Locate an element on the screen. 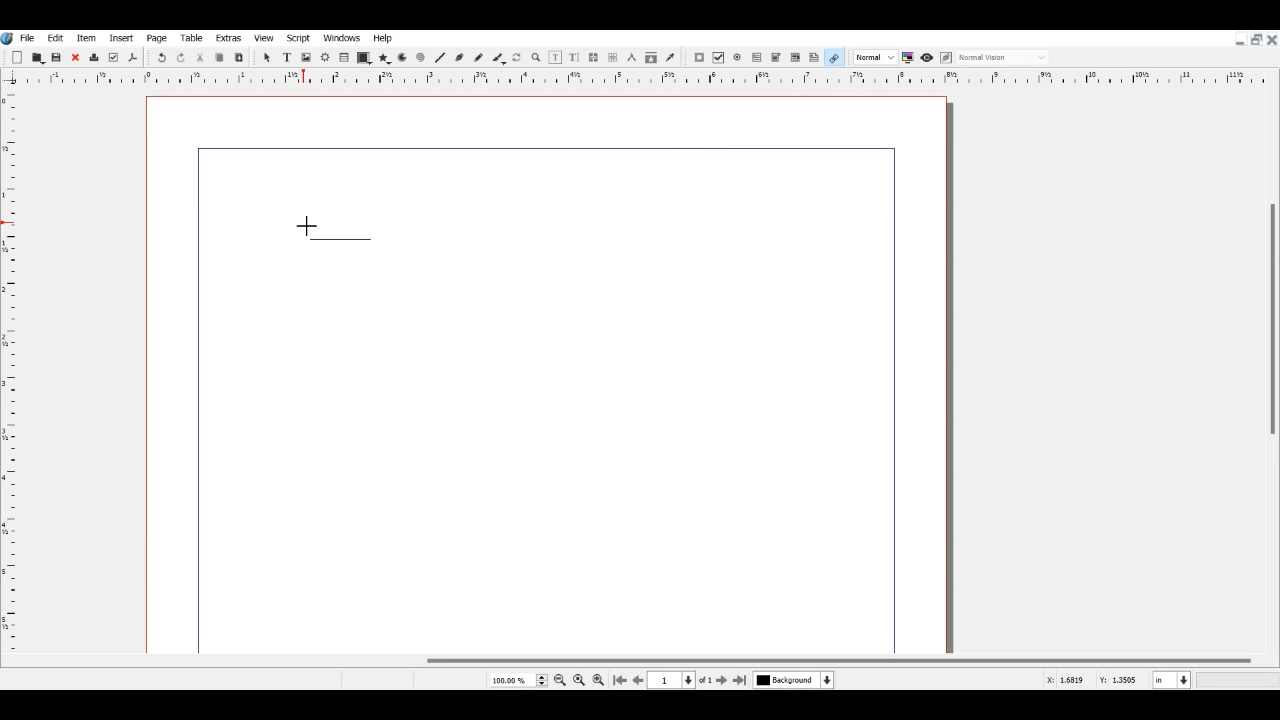  X, Y Co-ordinate is located at coordinates (1067, 680).